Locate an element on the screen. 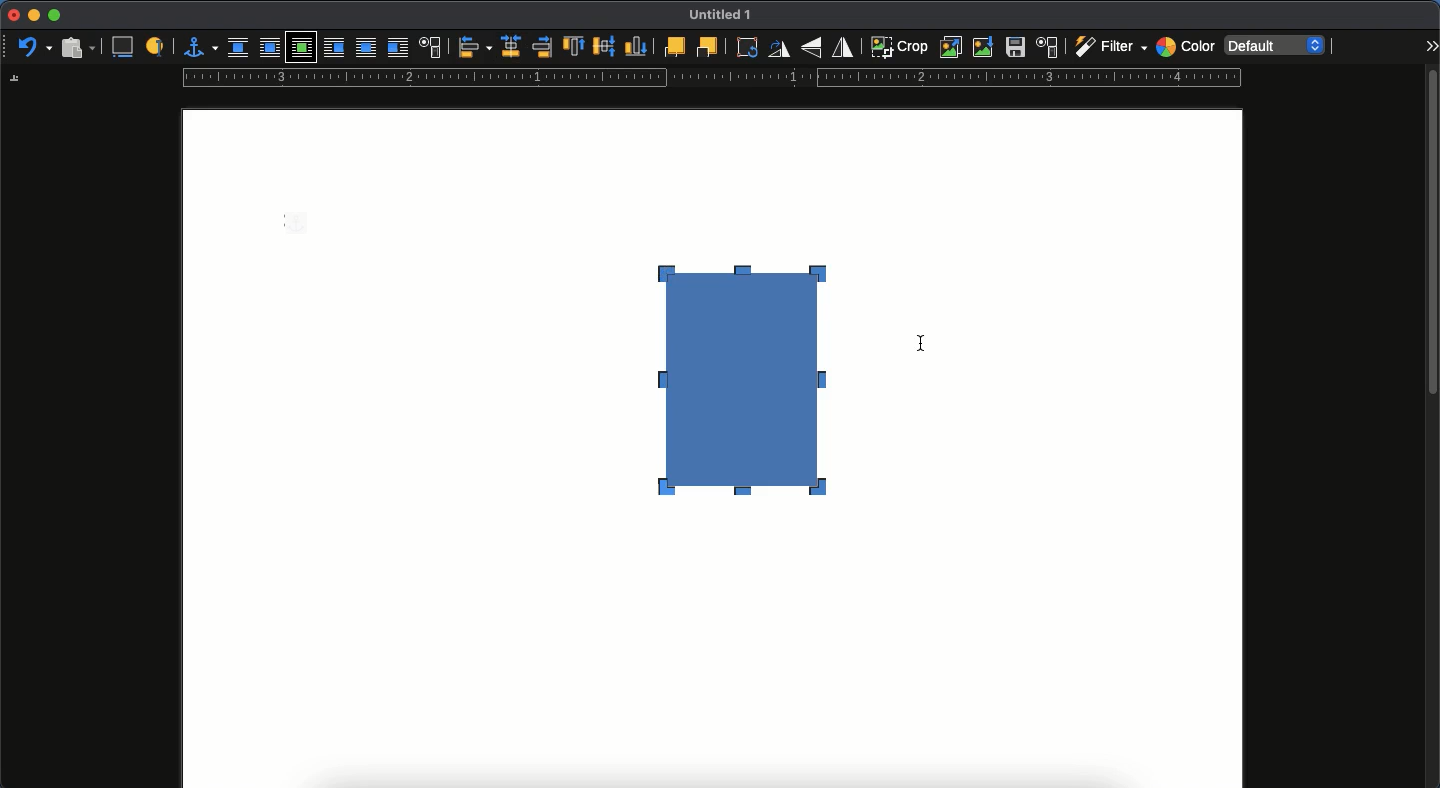  guide is located at coordinates (711, 80).